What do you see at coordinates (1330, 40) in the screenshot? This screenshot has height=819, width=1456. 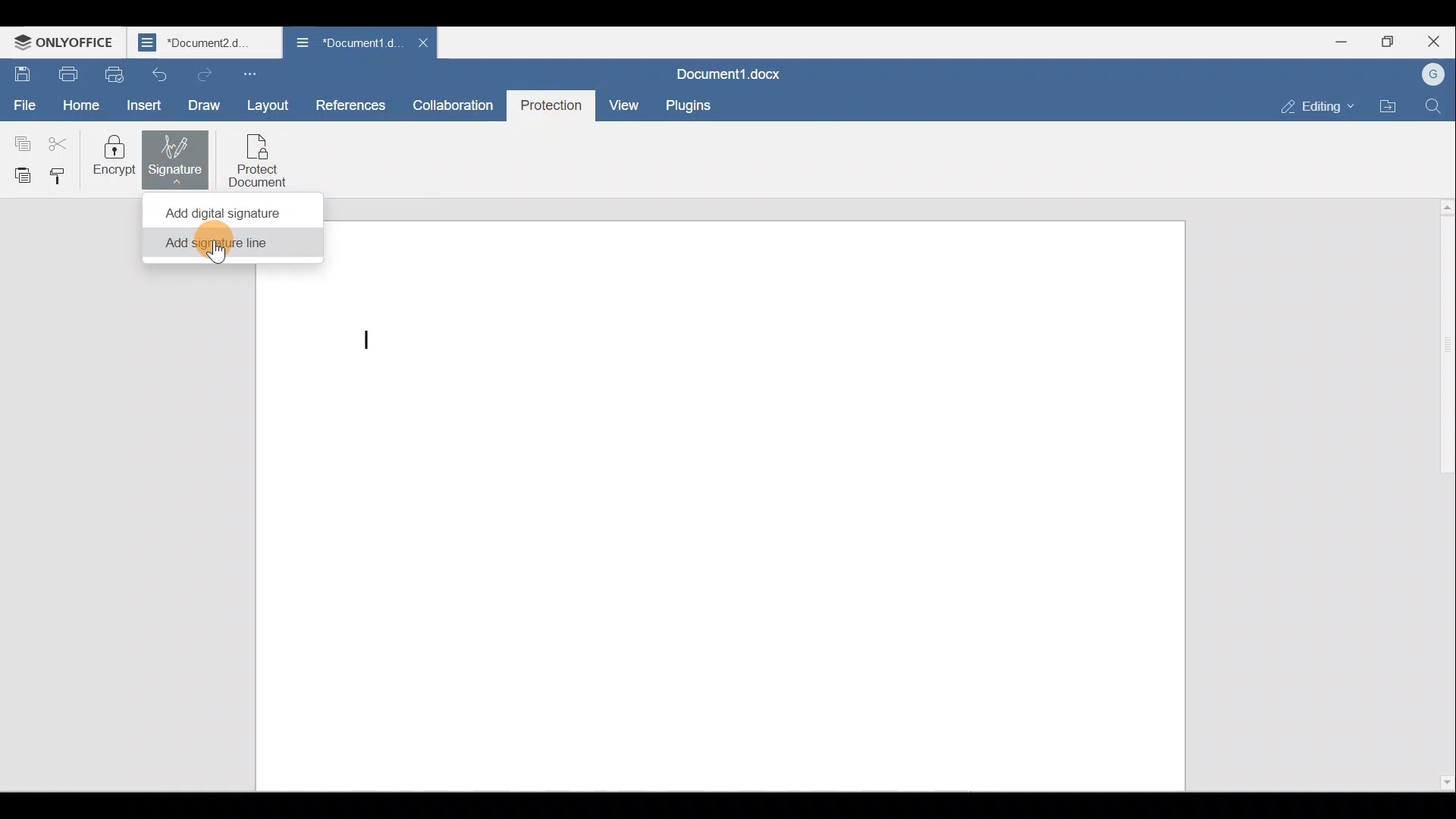 I see `Minimize` at bounding box center [1330, 40].